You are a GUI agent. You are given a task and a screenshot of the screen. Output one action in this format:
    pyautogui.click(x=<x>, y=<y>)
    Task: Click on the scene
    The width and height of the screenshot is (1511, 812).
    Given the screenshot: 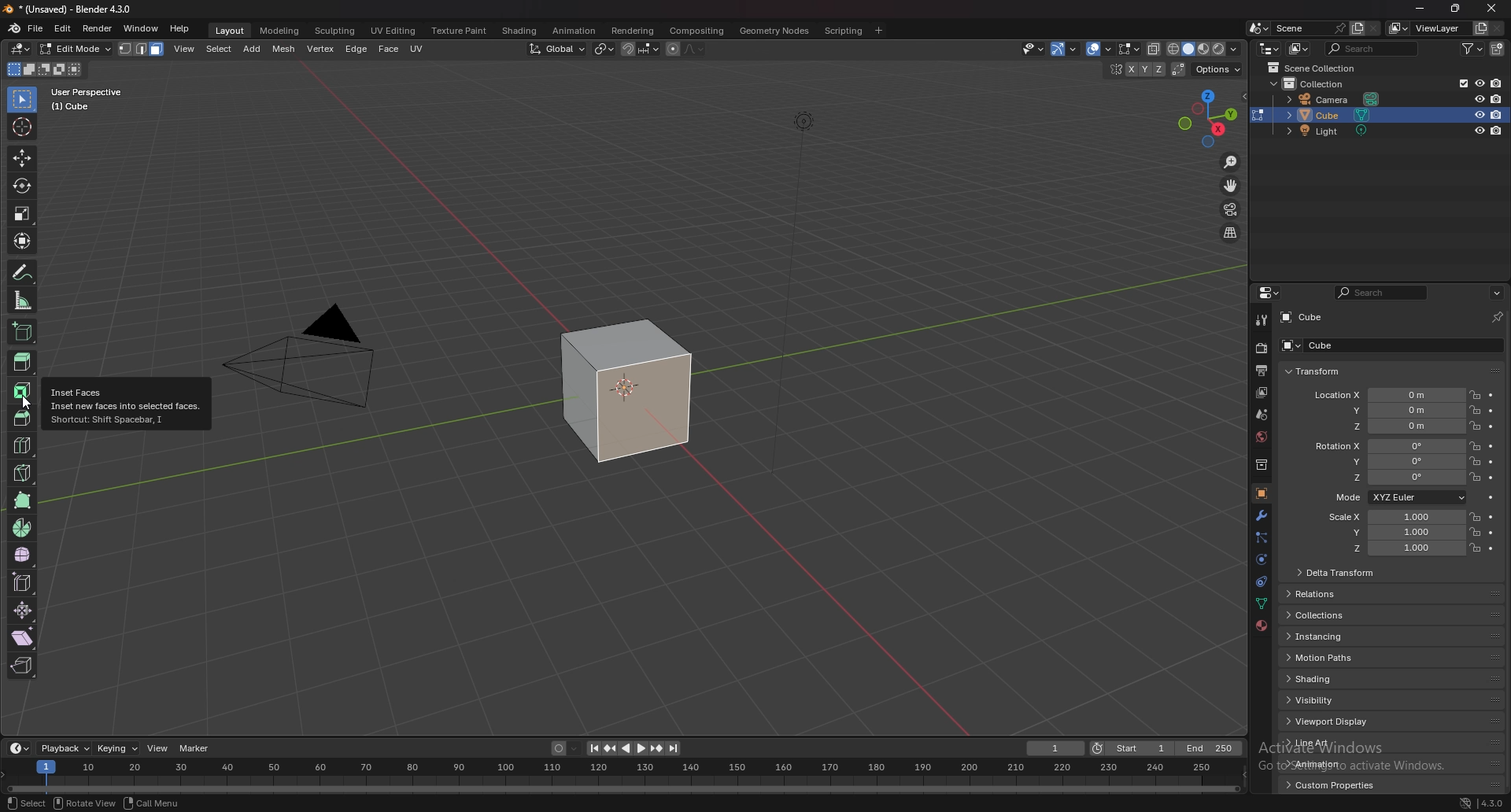 What is the action you would take?
    pyautogui.click(x=1261, y=414)
    